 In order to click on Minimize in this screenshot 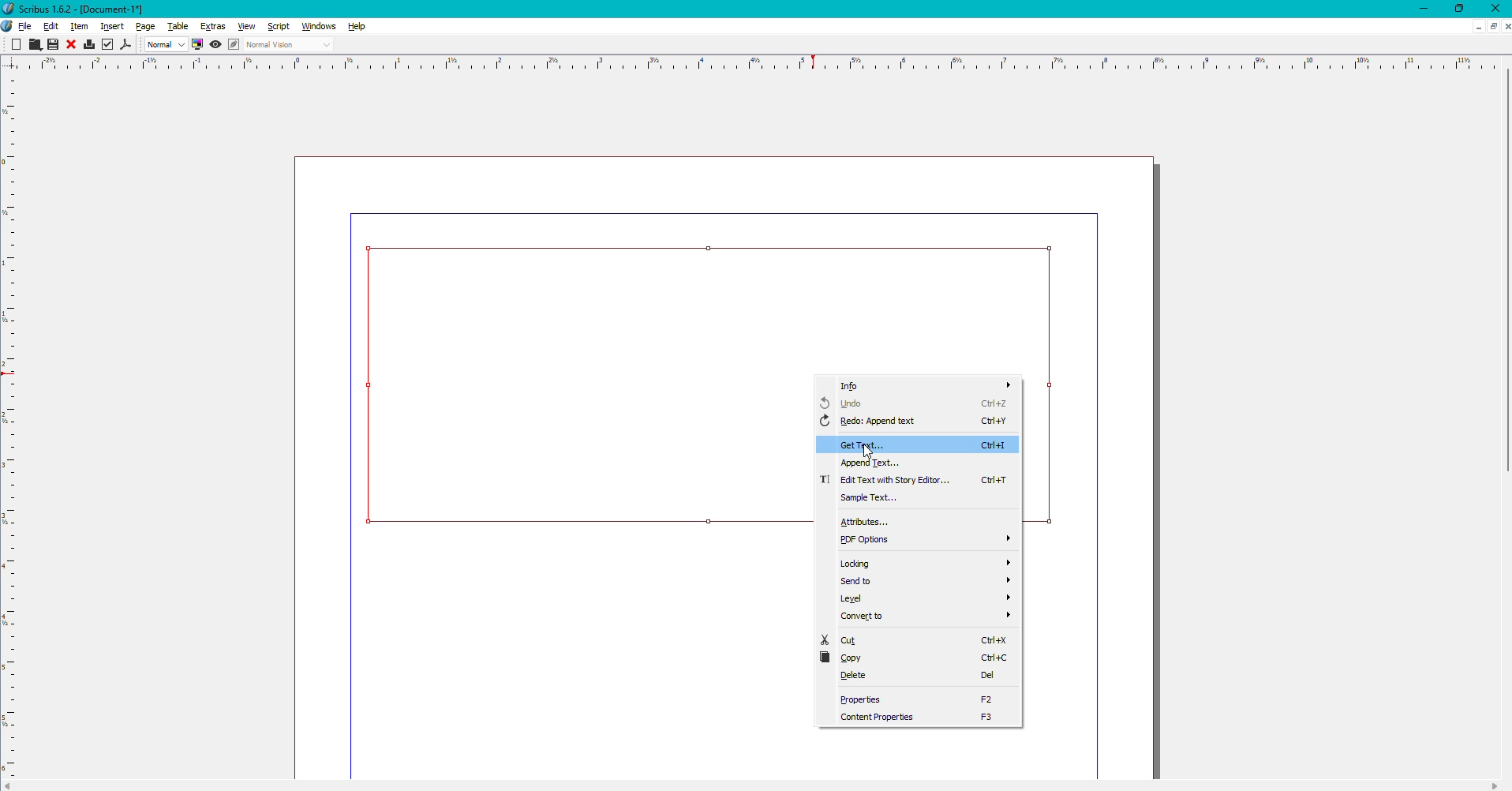, I will do `click(1419, 9)`.